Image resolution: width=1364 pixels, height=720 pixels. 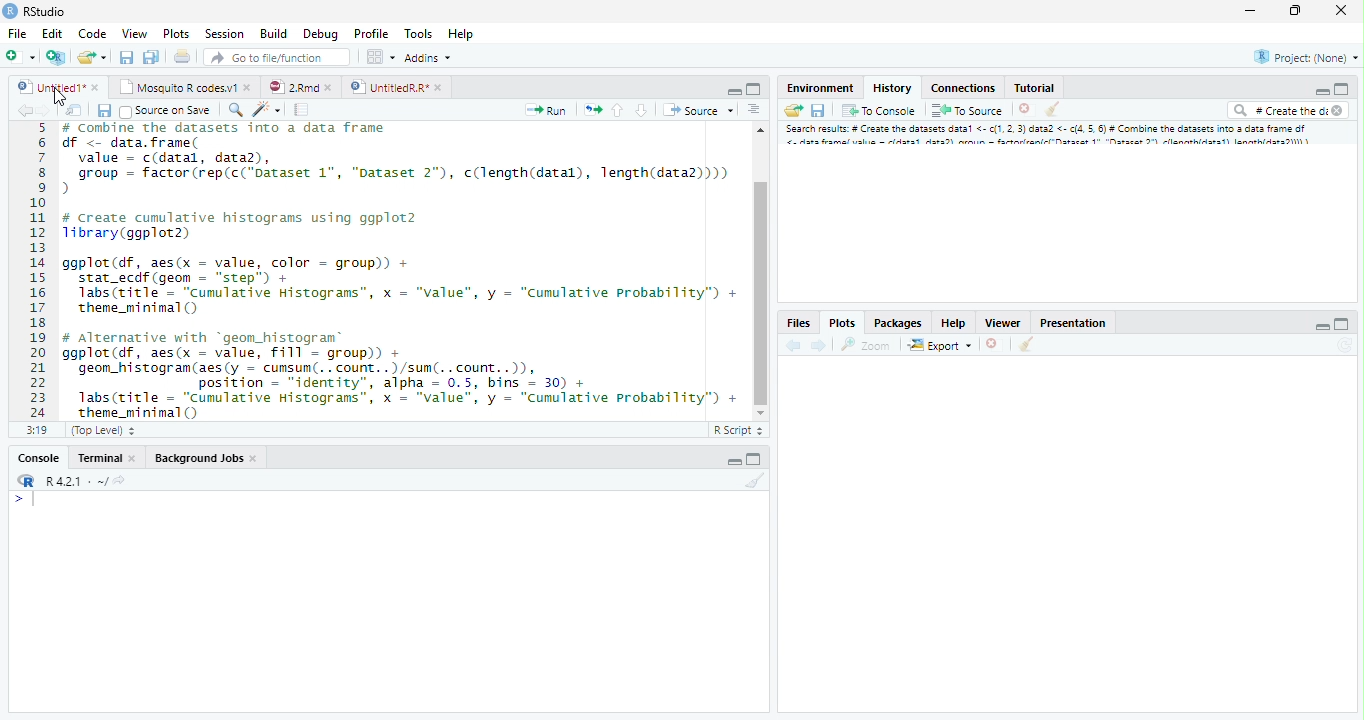 I want to click on Create a project, so click(x=56, y=55).